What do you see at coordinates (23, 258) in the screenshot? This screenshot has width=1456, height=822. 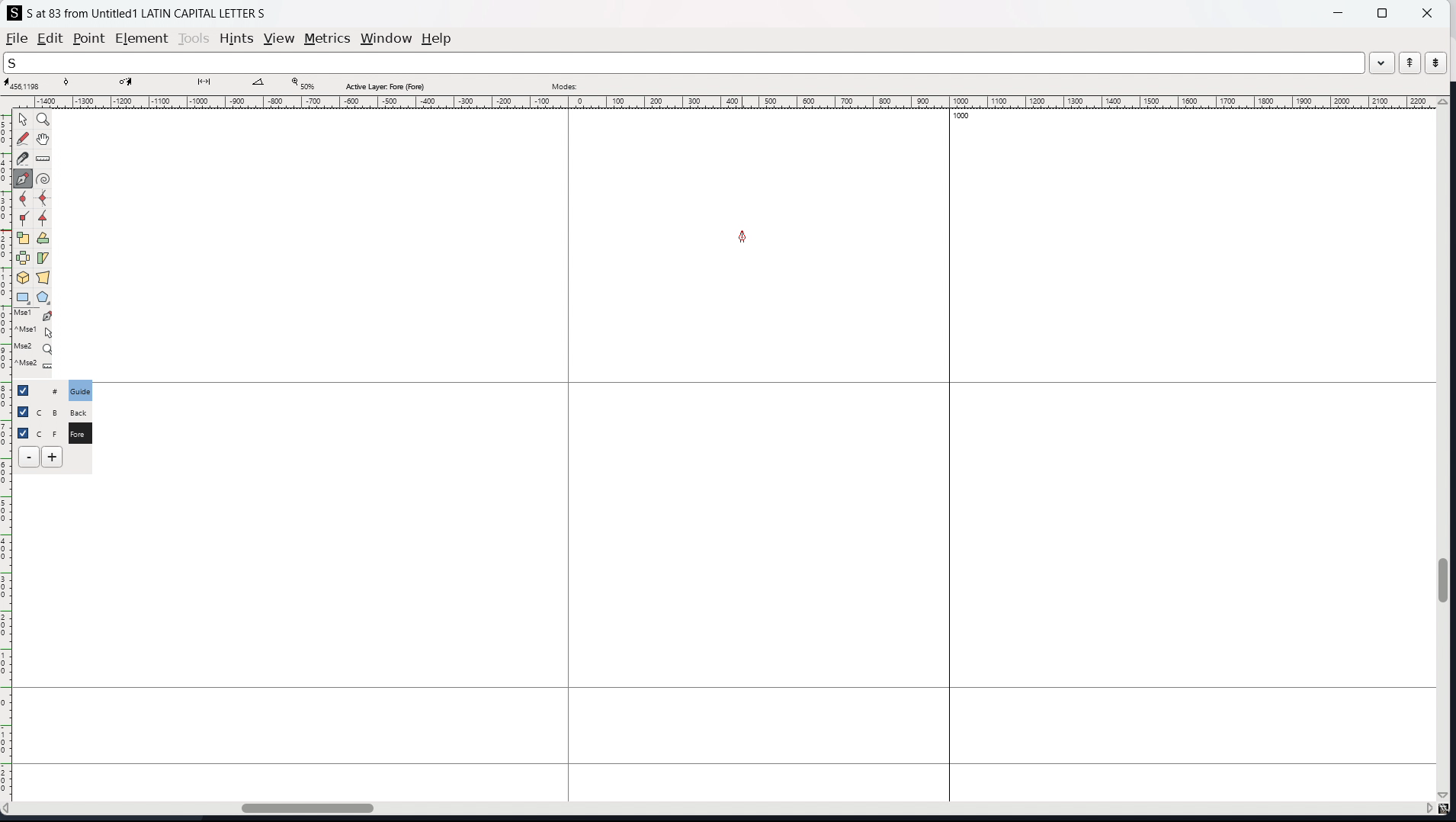 I see `flip the selection` at bounding box center [23, 258].